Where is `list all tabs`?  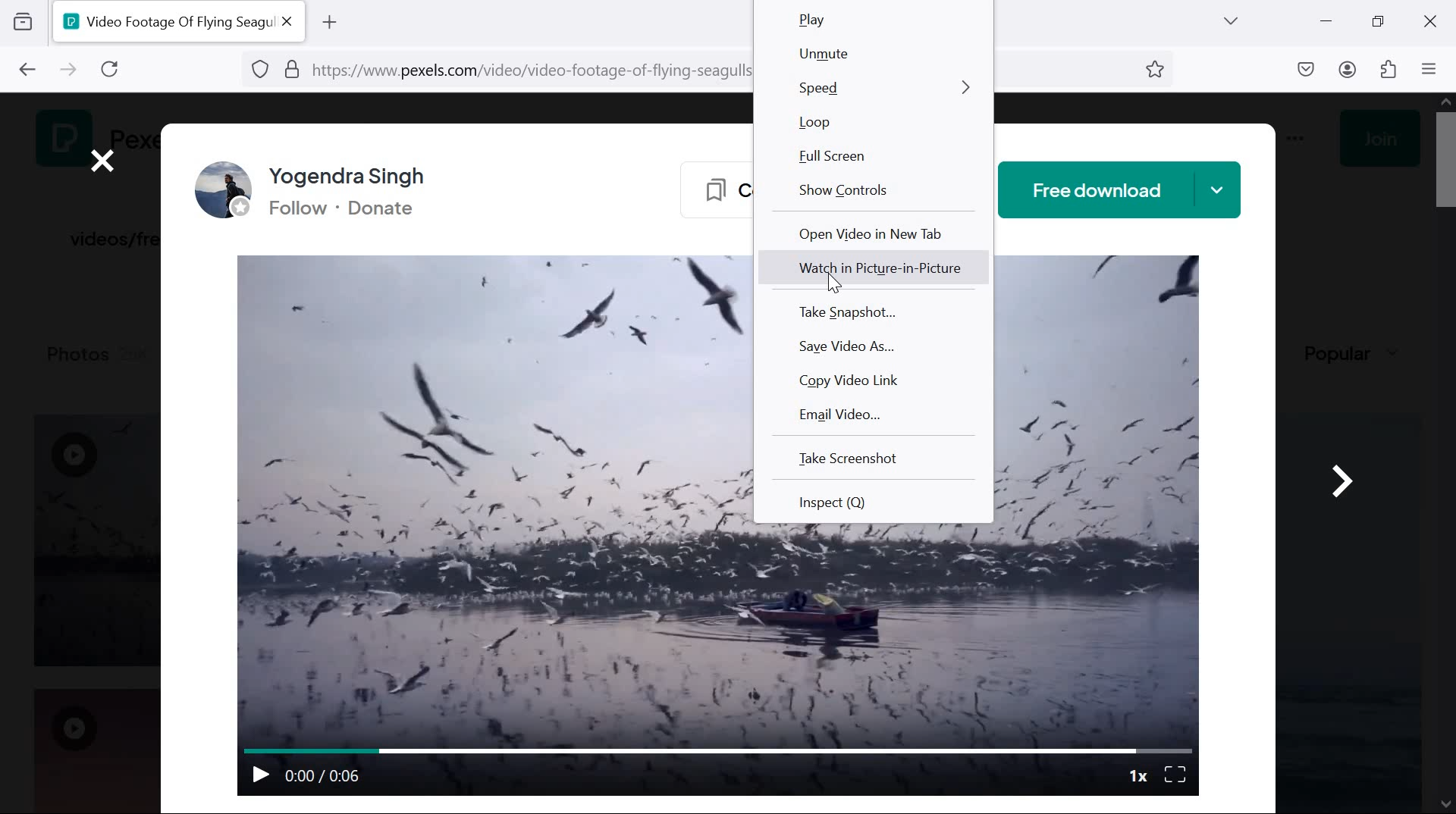 list all tabs is located at coordinates (1230, 21).